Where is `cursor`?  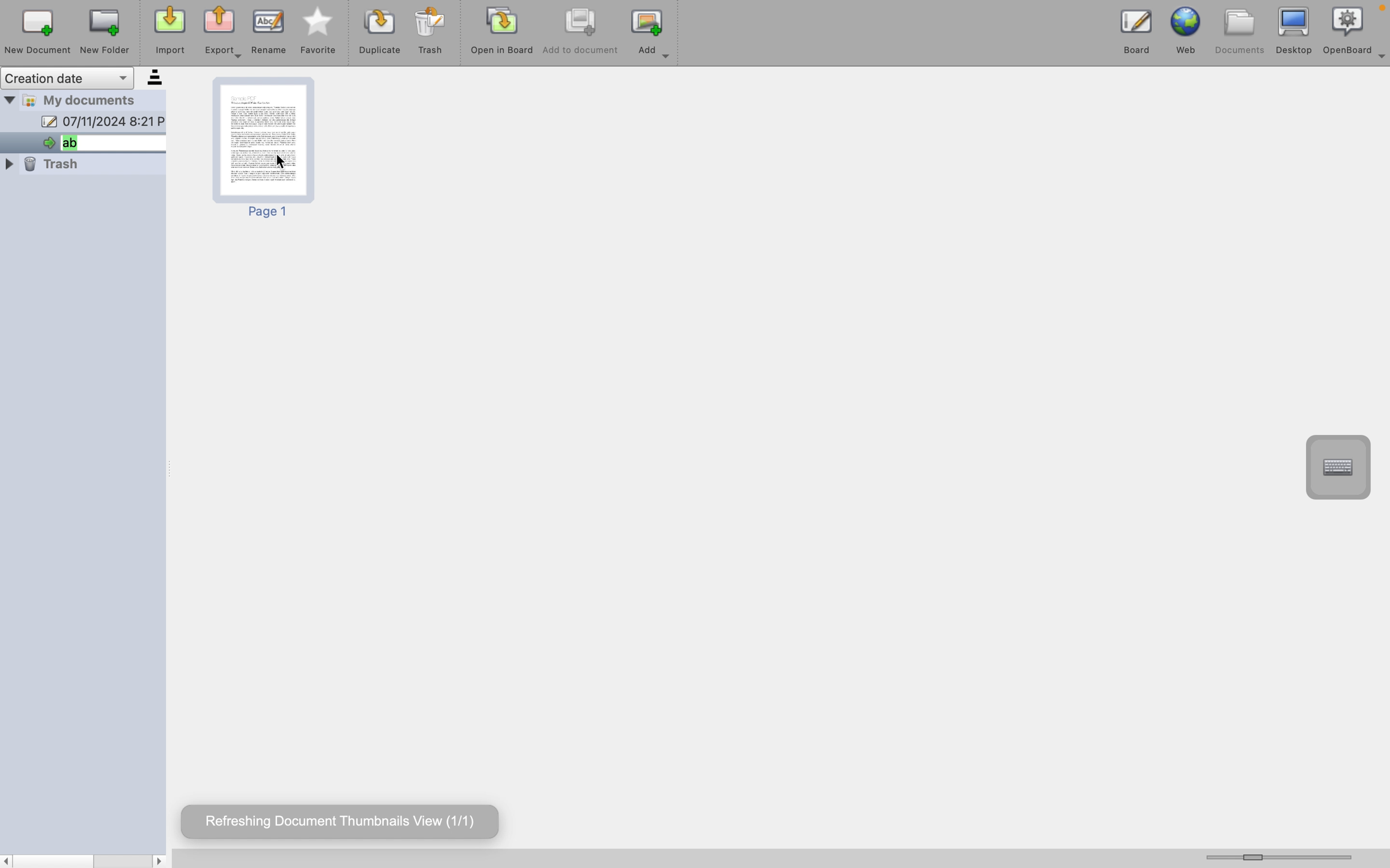 cursor is located at coordinates (175, 32).